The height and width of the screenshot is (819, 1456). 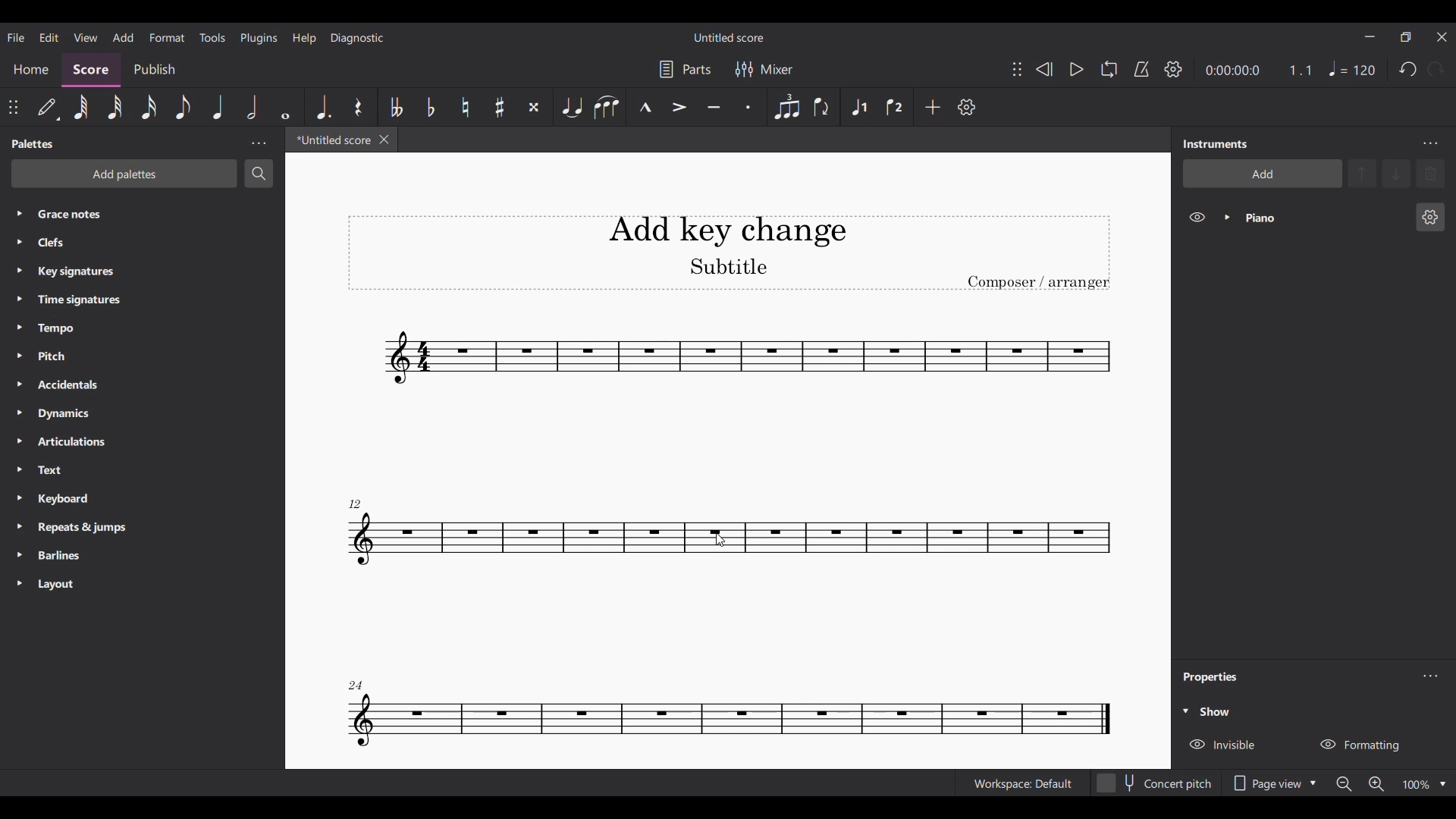 I want to click on Move down, so click(x=1398, y=174).